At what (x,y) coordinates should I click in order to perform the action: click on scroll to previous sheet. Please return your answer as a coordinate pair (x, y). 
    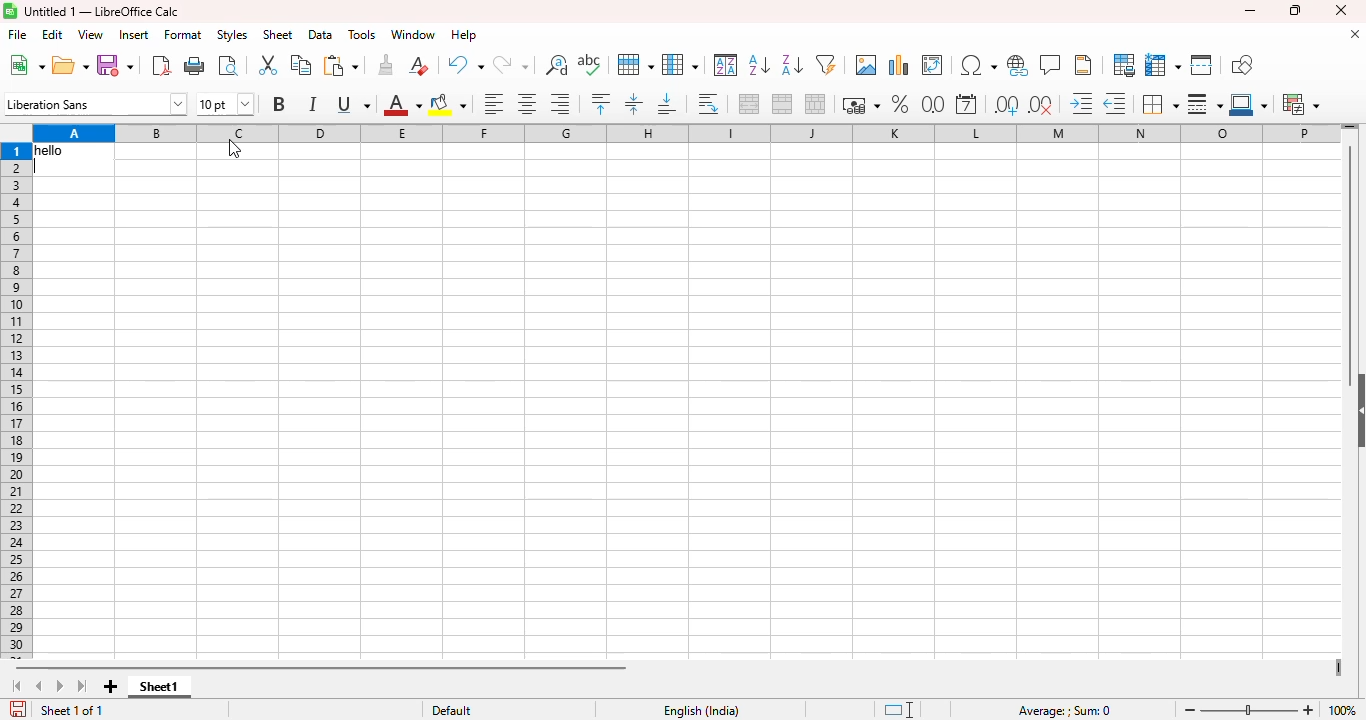
    Looking at the image, I should click on (39, 686).